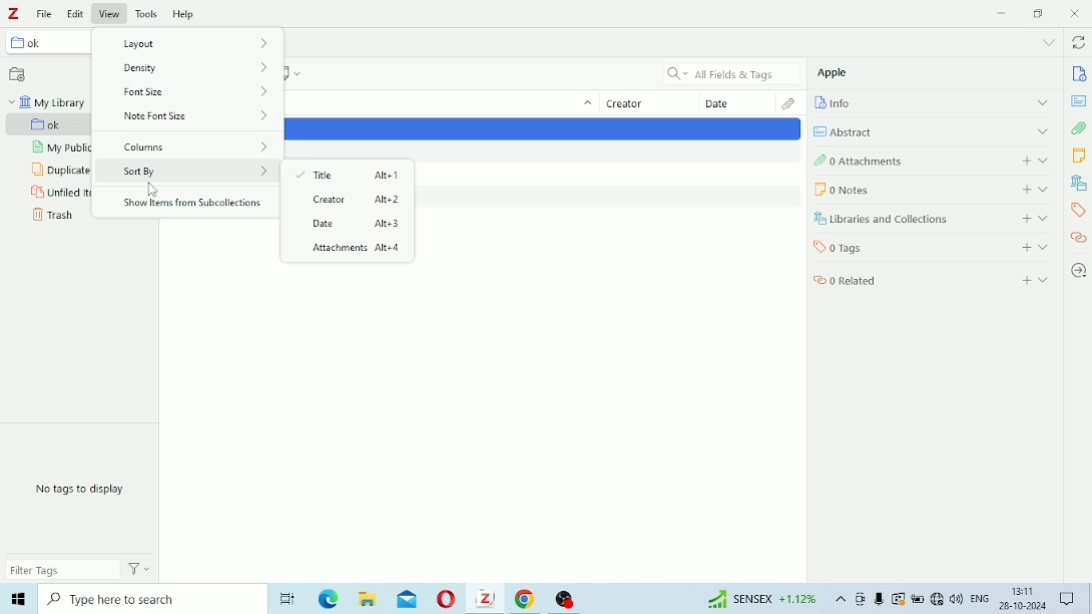 The width and height of the screenshot is (1092, 614). Describe the element at coordinates (852, 129) in the screenshot. I see `Abstract` at that location.